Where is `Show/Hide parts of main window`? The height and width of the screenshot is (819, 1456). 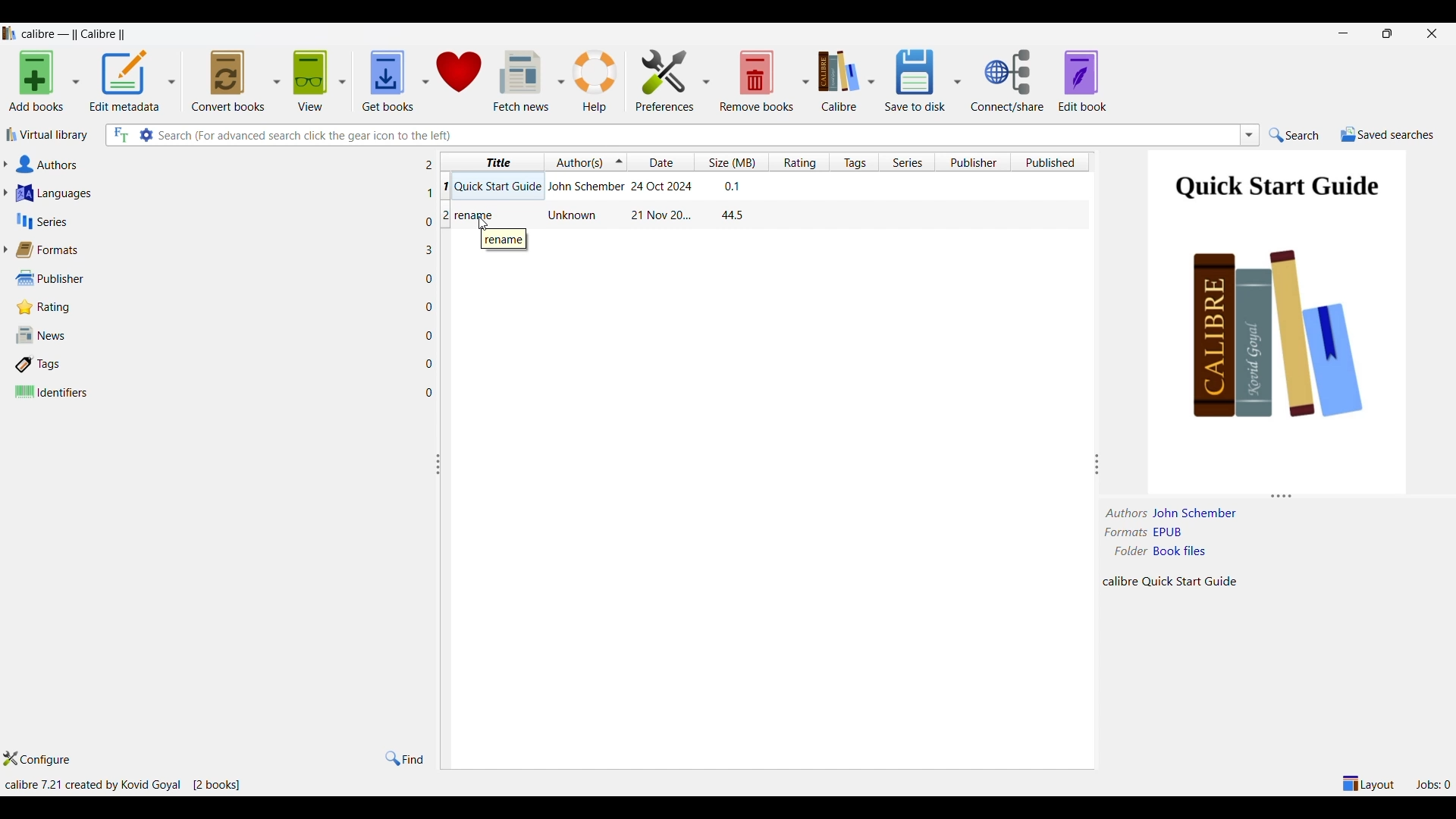 Show/Hide parts of main window is located at coordinates (1367, 784).